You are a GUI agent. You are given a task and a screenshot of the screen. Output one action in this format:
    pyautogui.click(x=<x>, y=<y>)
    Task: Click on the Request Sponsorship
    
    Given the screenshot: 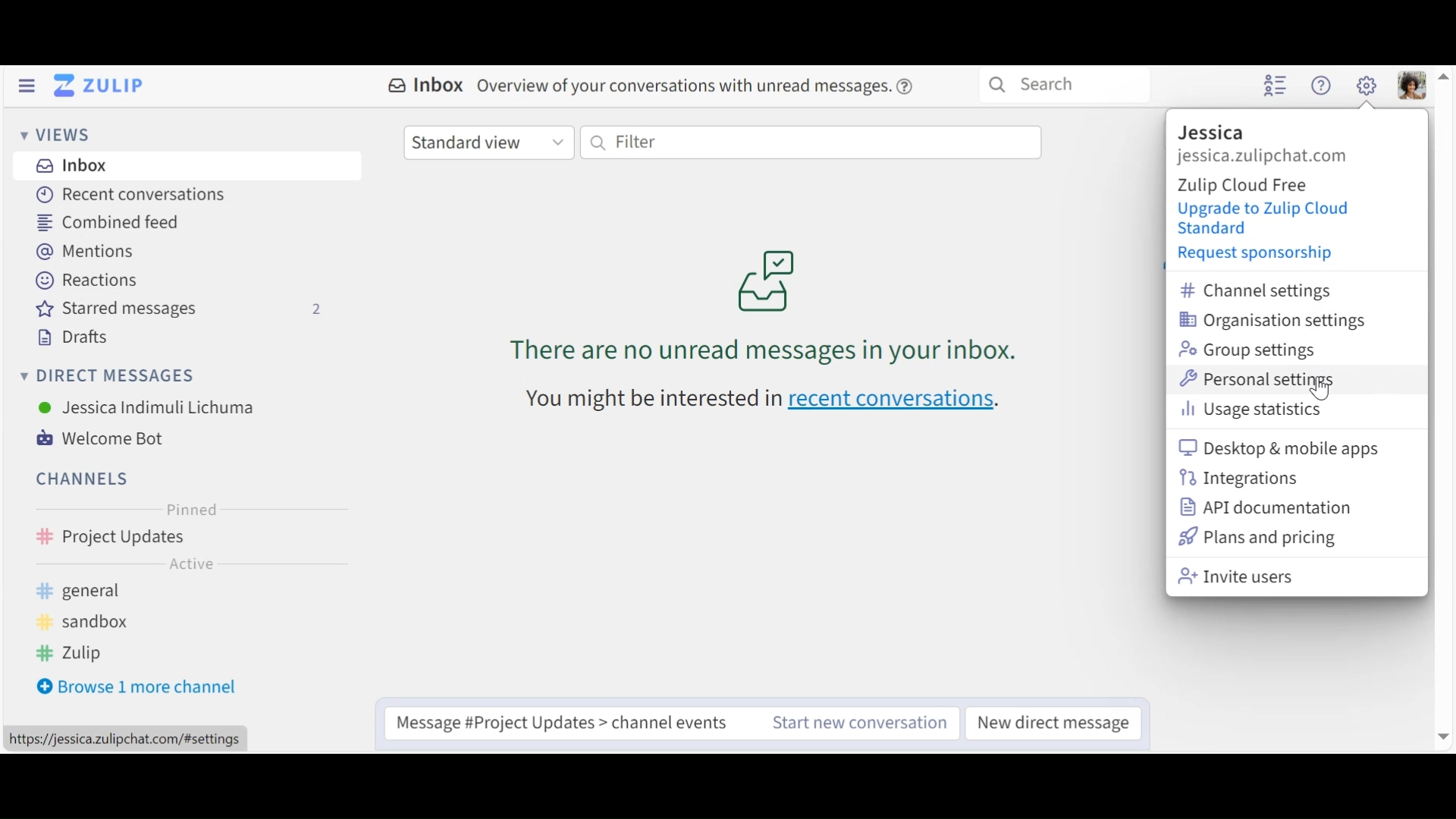 What is the action you would take?
    pyautogui.click(x=1253, y=256)
    